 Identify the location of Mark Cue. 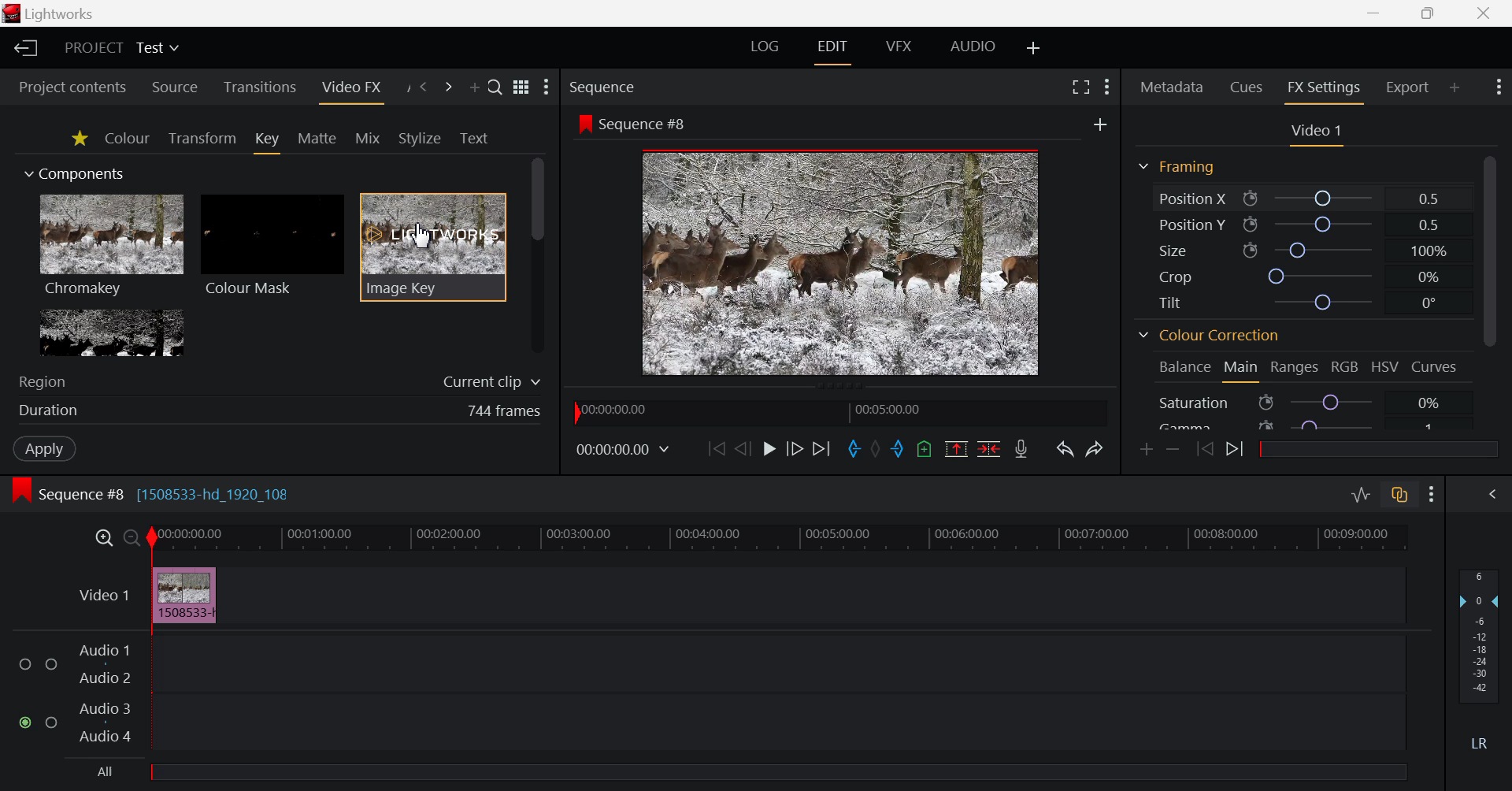
(925, 449).